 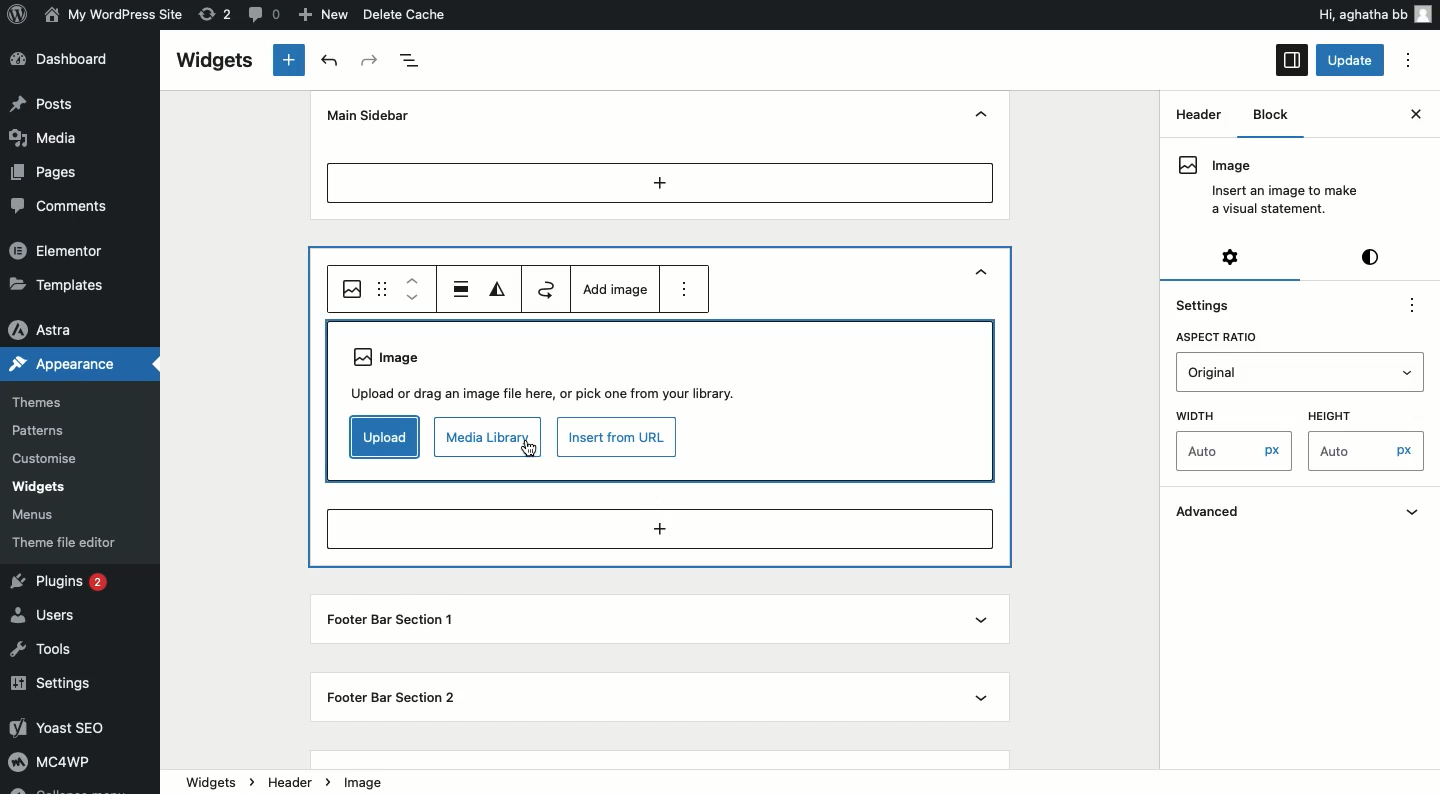 I want to click on Auto, so click(x=1370, y=450).